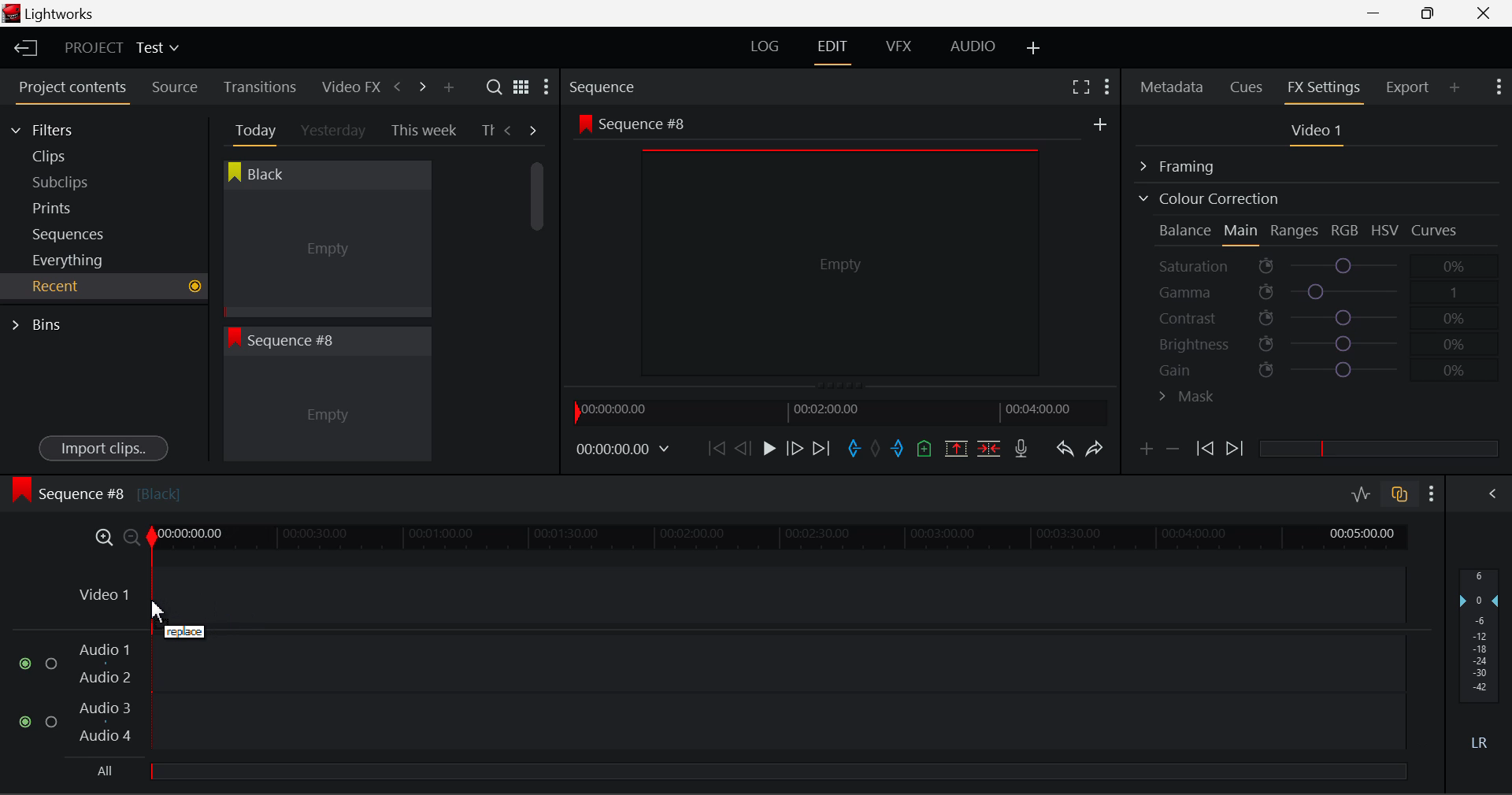  Describe the element at coordinates (780, 538) in the screenshot. I see `Project Timeline` at that location.